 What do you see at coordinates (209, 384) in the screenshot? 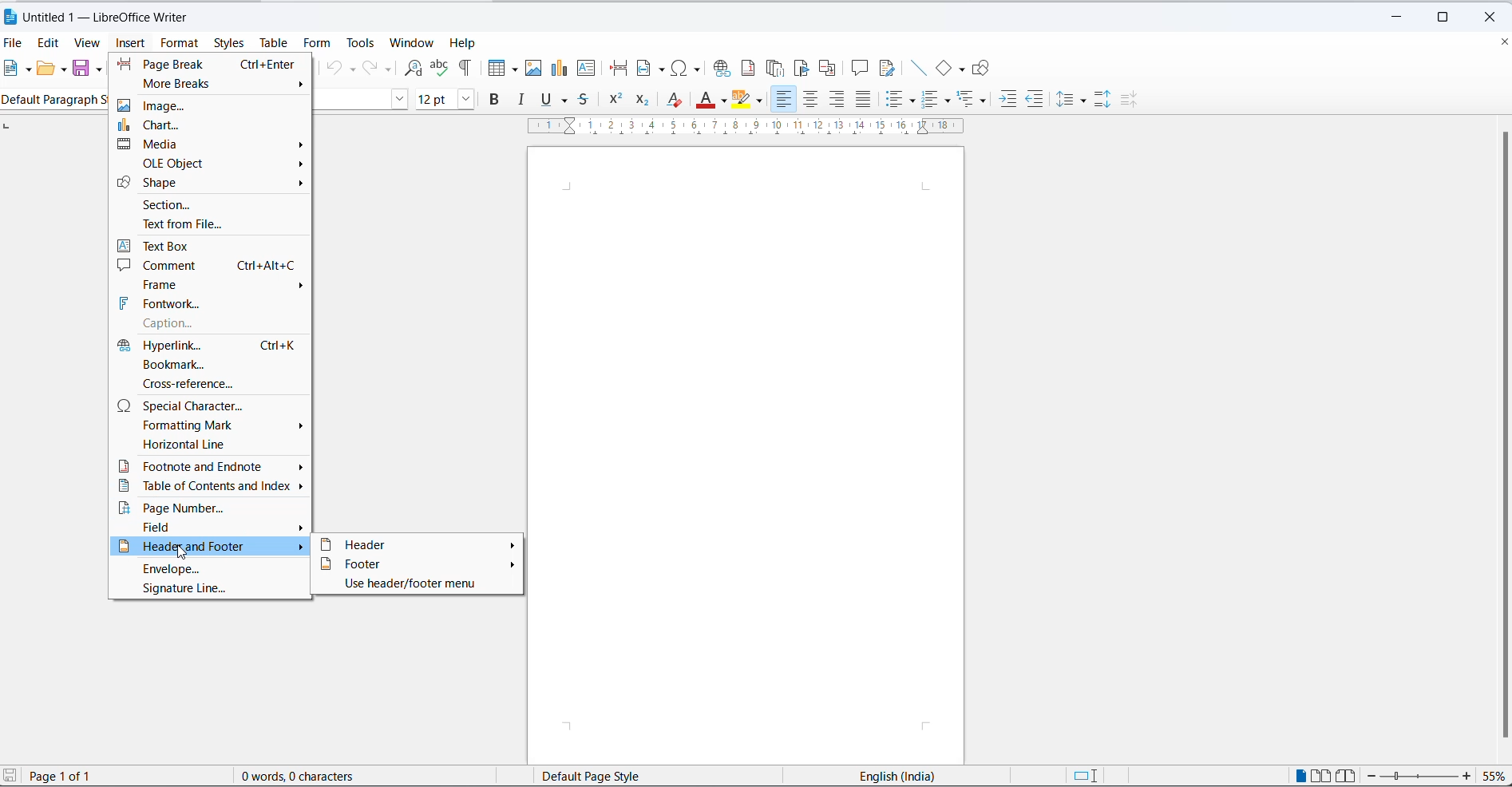
I see `cross-reference` at bounding box center [209, 384].